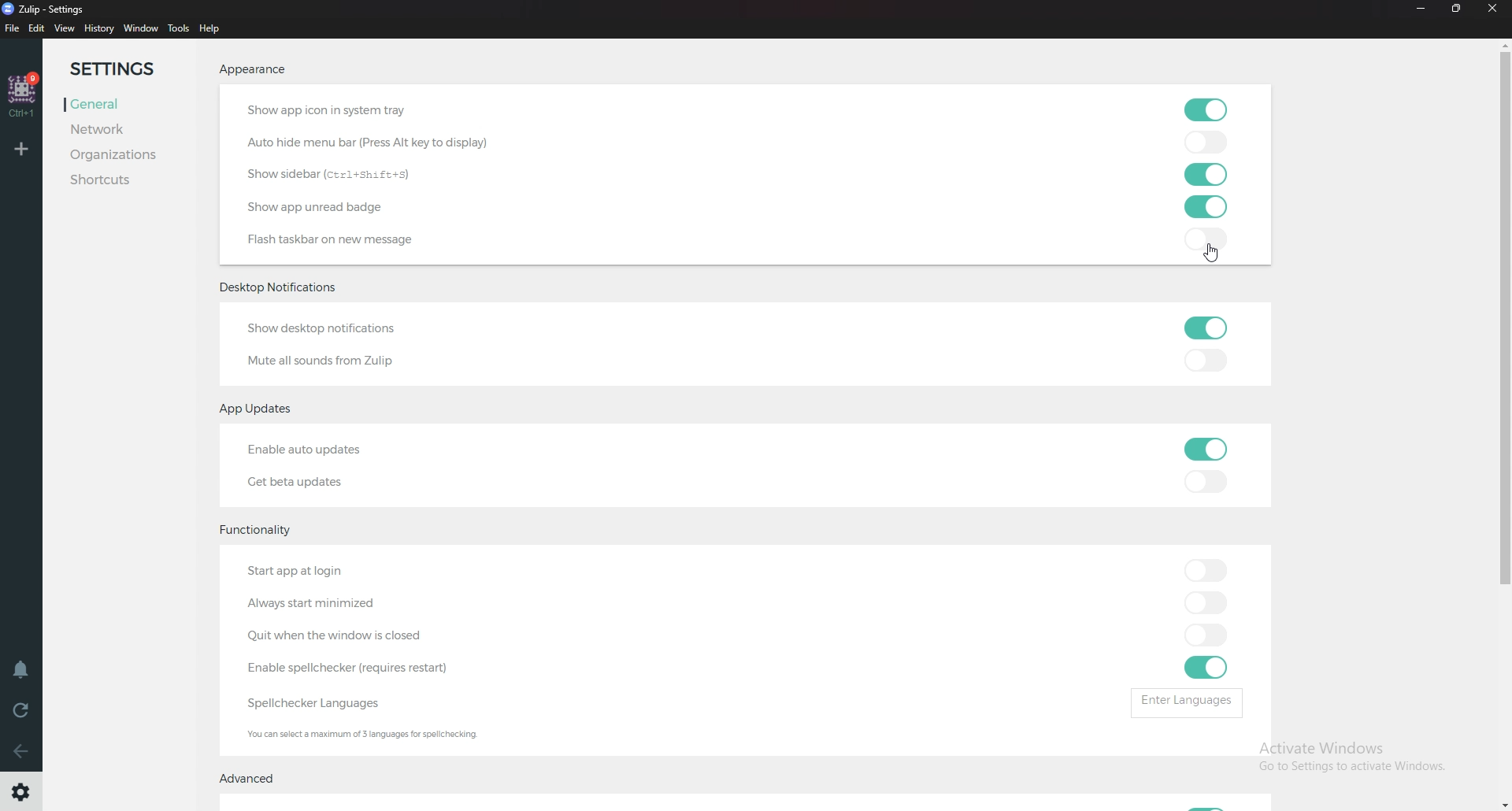  Describe the element at coordinates (336, 240) in the screenshot. I see `flash taskbar new message` at that location.